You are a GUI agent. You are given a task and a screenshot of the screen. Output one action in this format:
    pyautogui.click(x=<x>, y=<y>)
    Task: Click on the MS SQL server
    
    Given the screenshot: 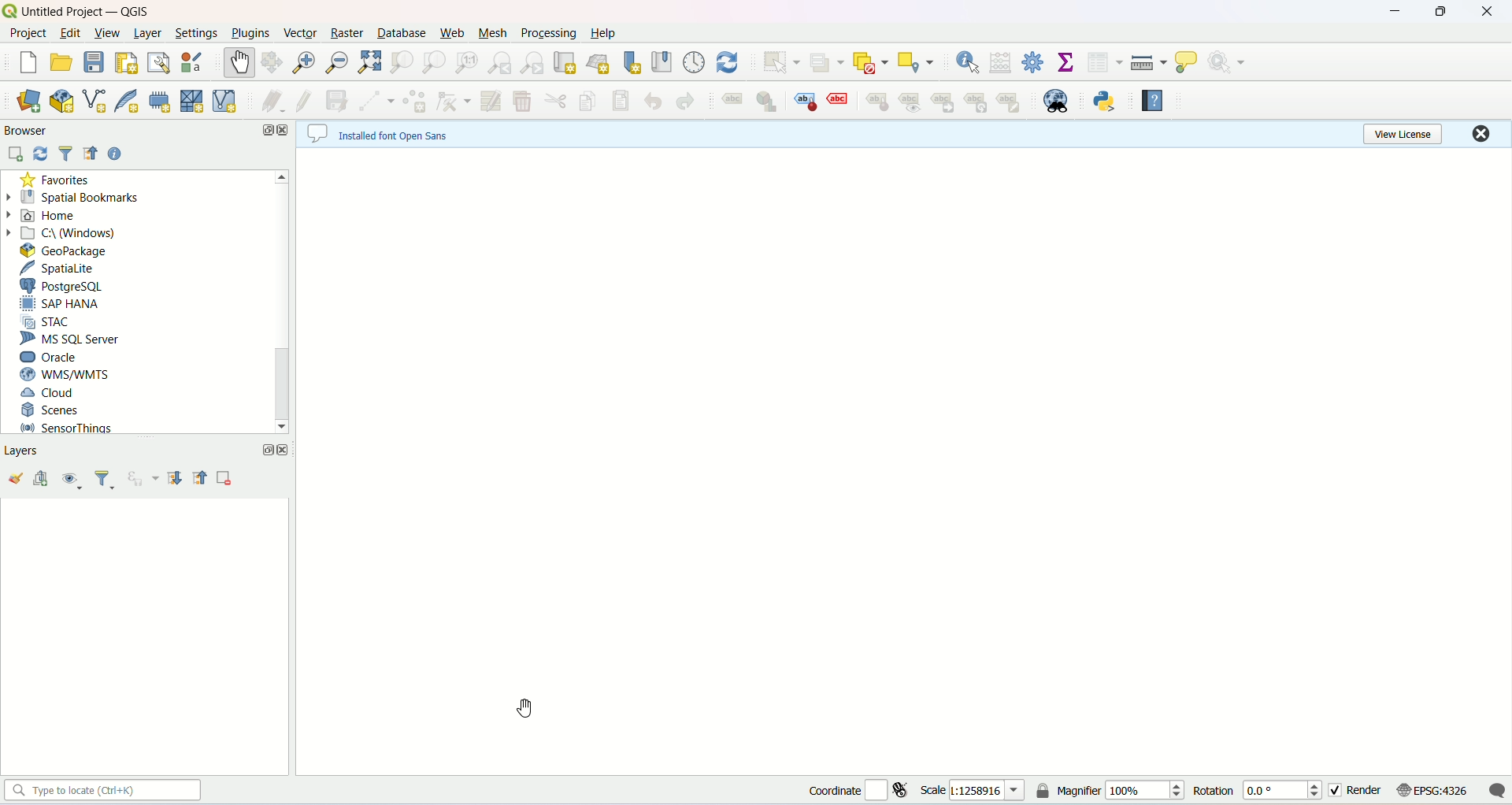 What is the action you would take?
    pyautogui.click(x=68, y=339)
    